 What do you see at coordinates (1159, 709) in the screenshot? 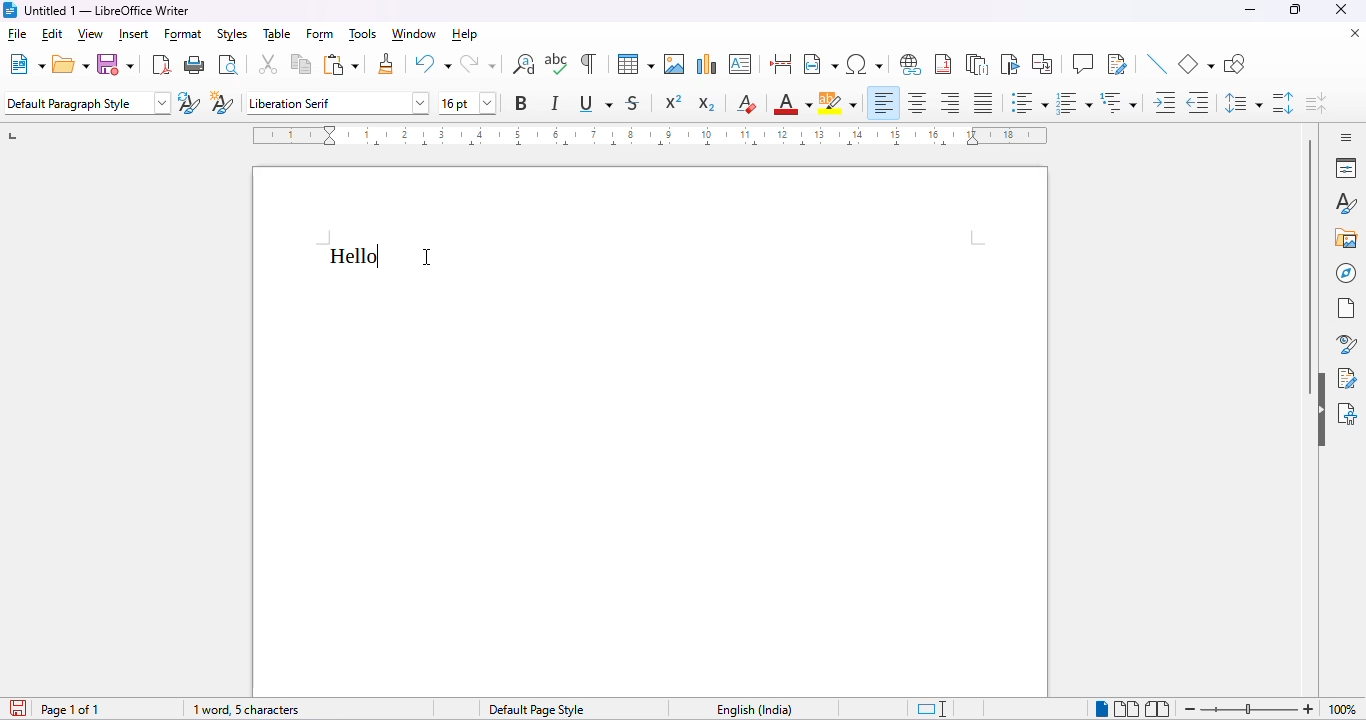
I see `book view` at bounding box center [1159, 709].